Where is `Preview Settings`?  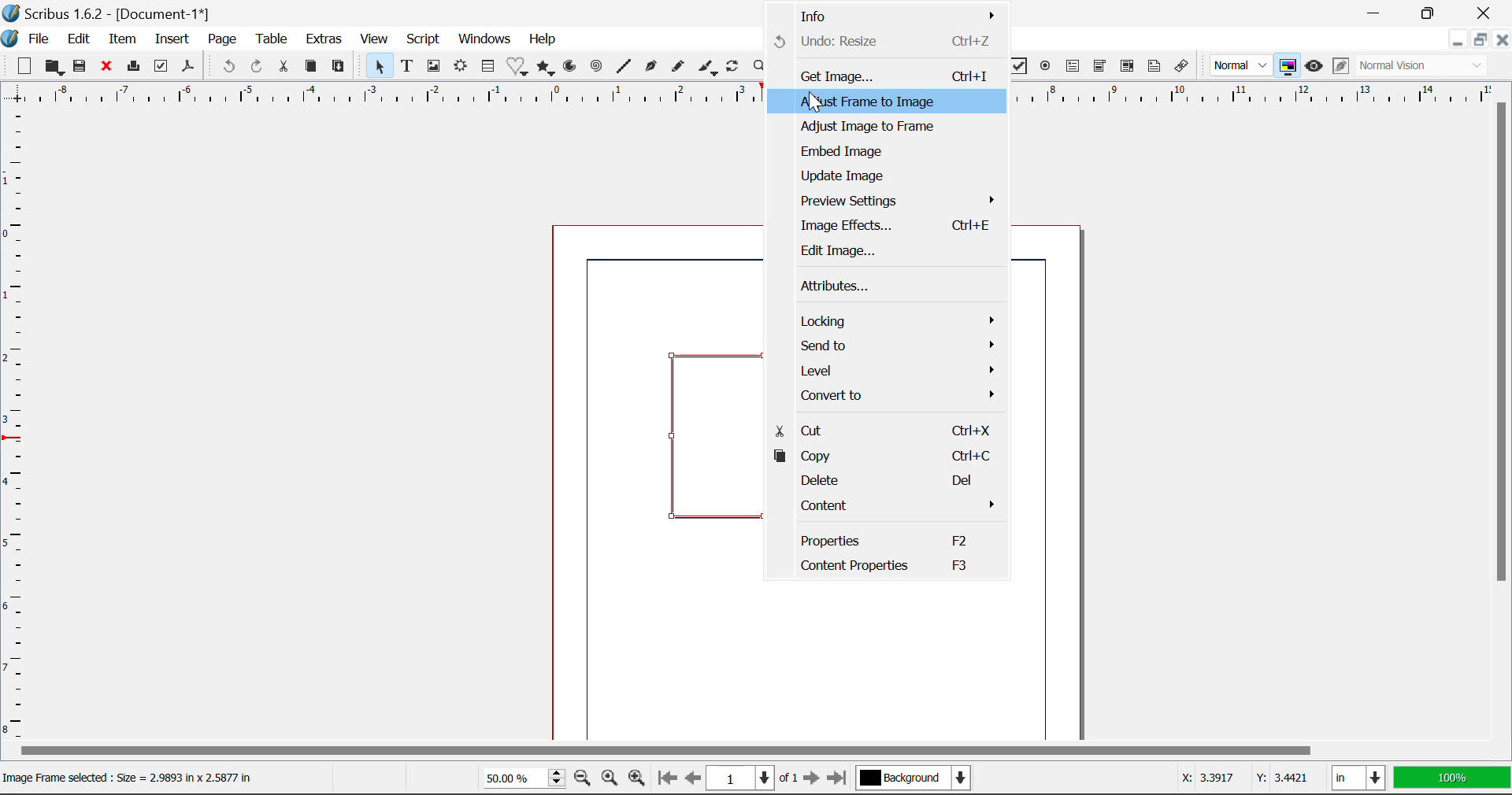 Preview Settings is located at coordinates (891, 202).